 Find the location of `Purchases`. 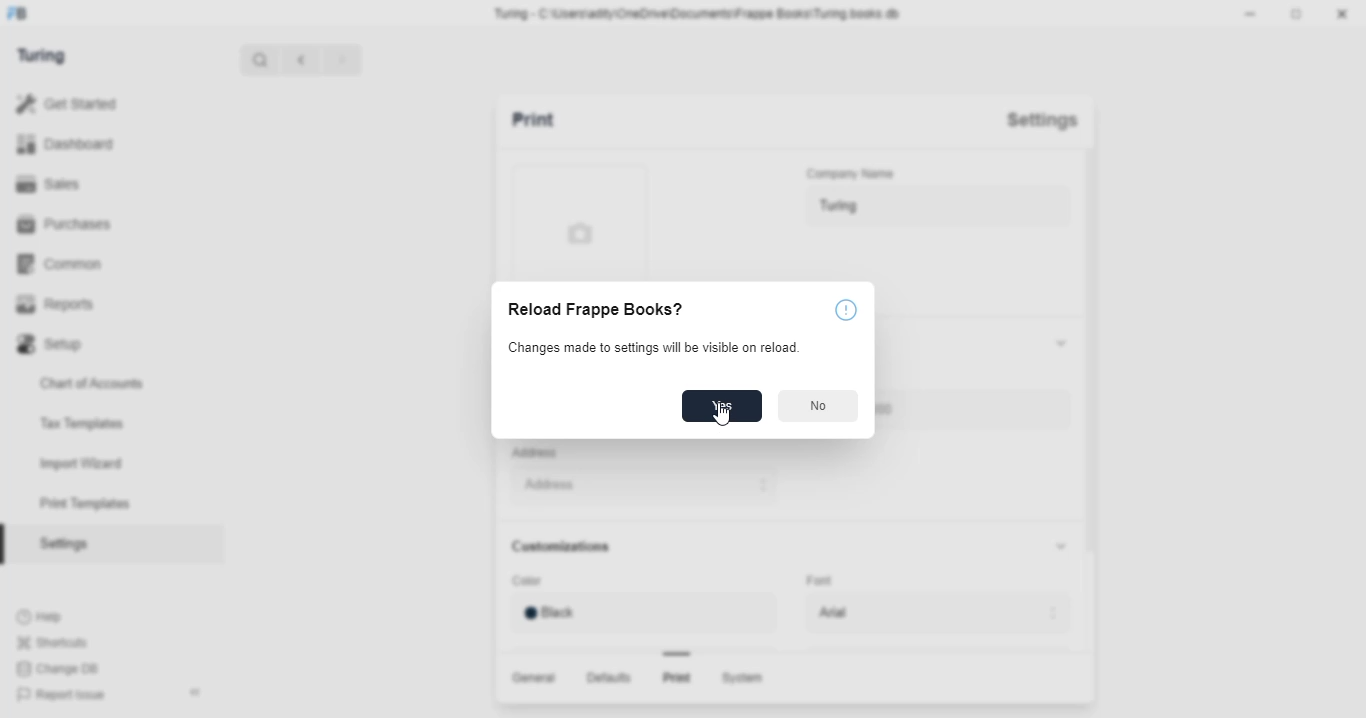

Purchases is located at coordinates (64, 224).